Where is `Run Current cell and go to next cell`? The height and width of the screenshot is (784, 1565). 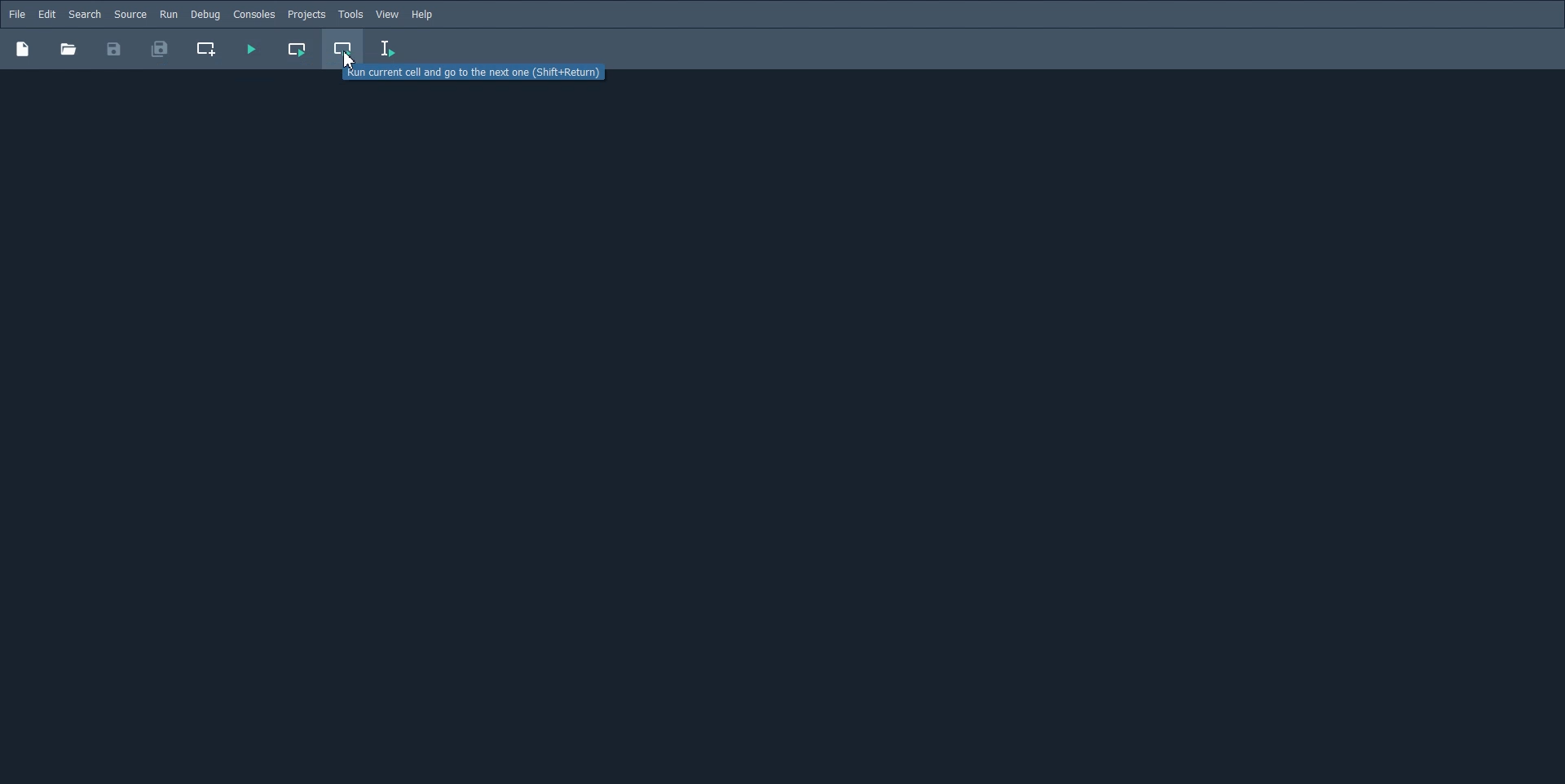
Run Current cell and go to next cell is located at coordinates (344, 50).